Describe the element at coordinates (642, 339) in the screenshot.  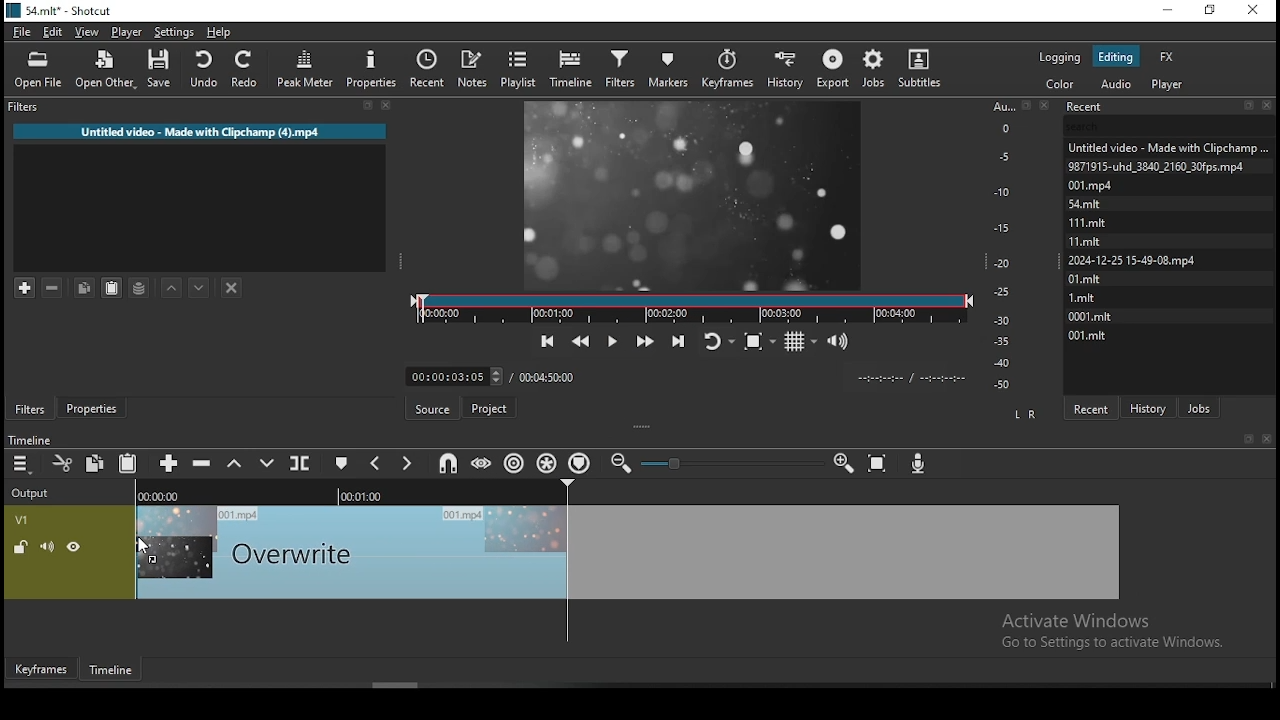
I see `play quickly forwards` at that location.